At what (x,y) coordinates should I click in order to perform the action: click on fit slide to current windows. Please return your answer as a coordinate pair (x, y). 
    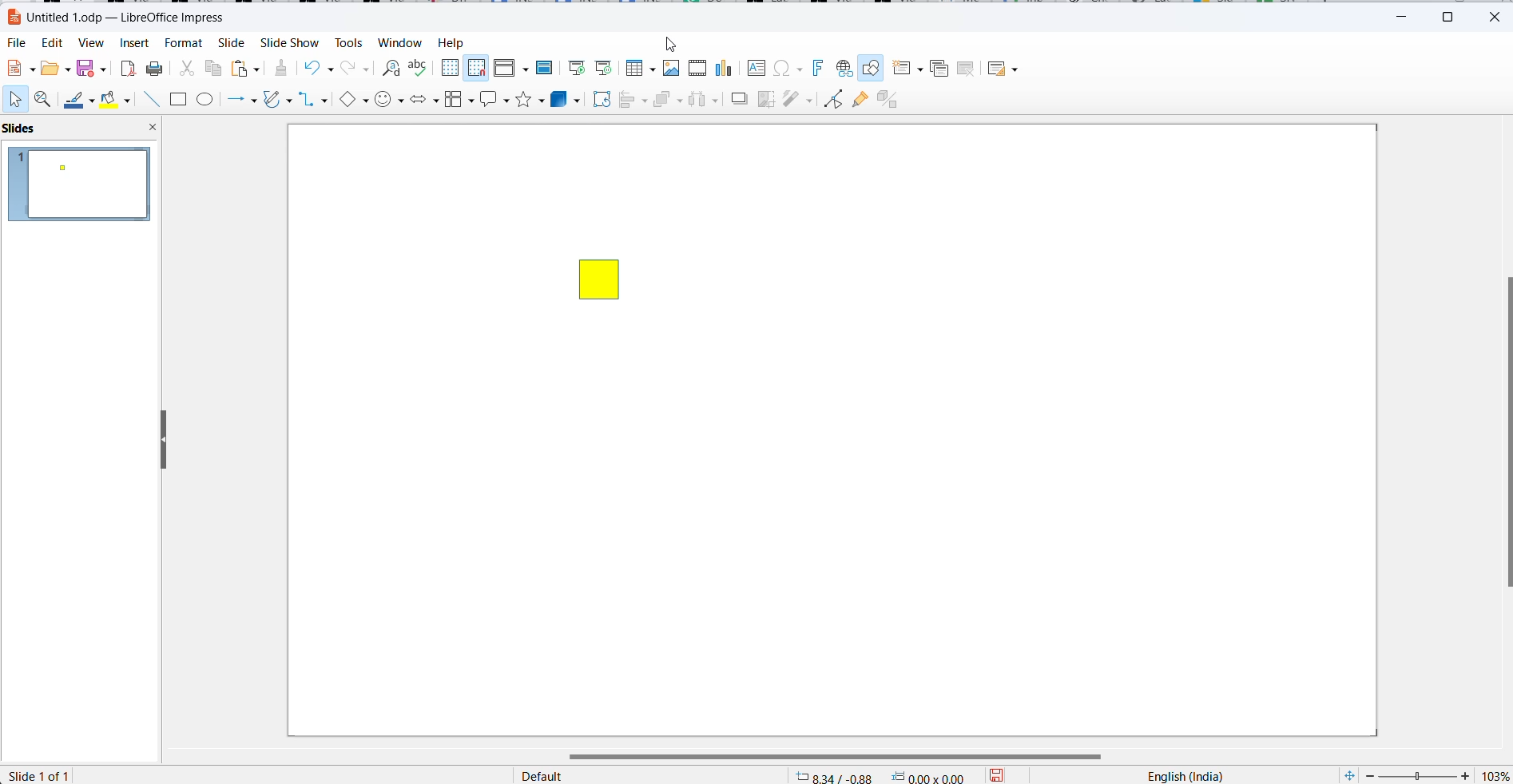
    Looking at the image, I should click on (1347, 775).